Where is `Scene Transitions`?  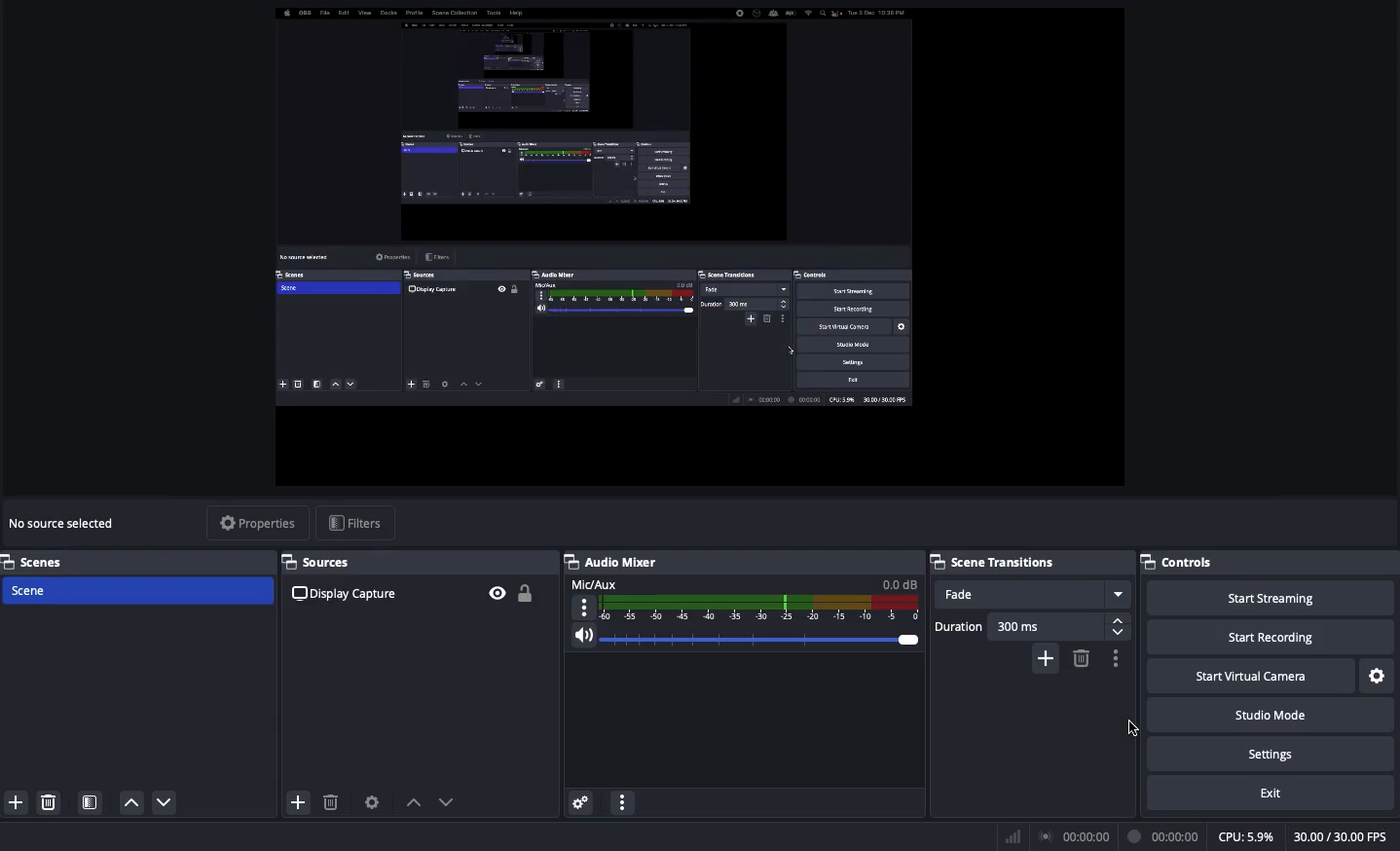
Scene Transitions is located at coordinates (1033, 567).